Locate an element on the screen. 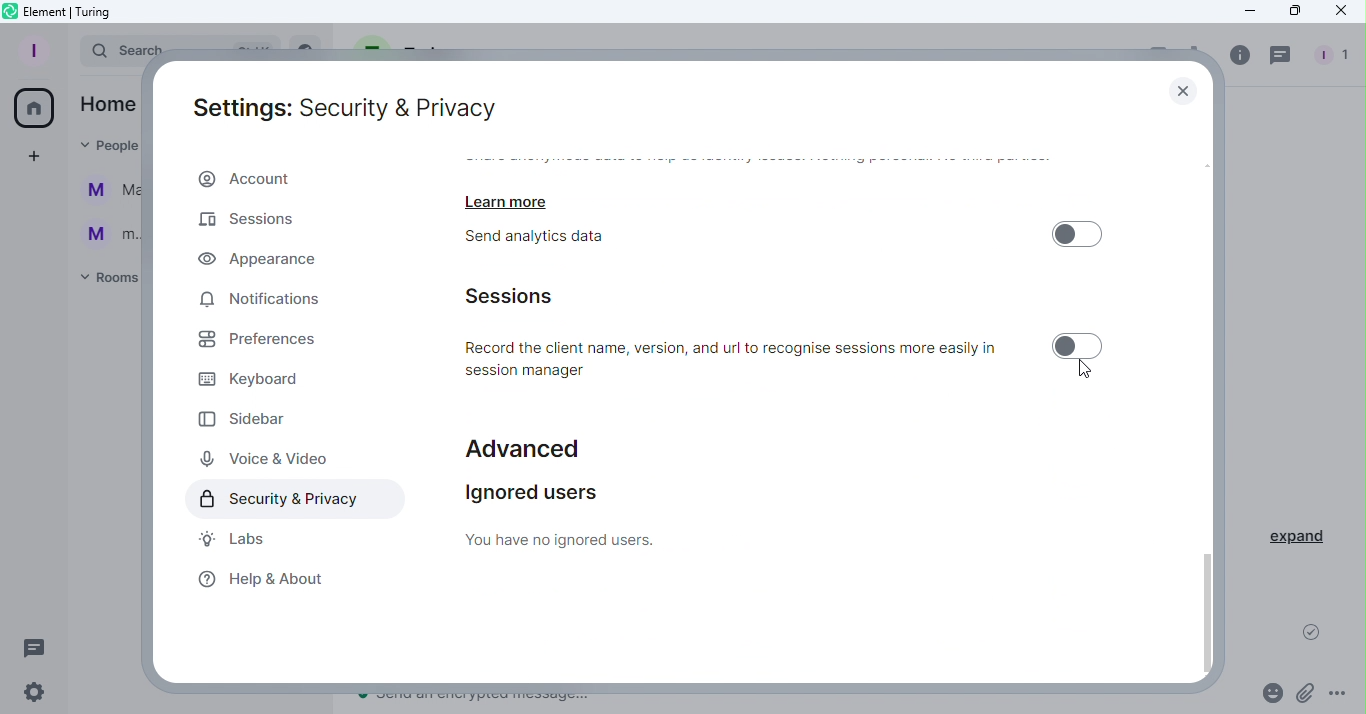 This screenshot has width=1366, height=714. More options is located at coordinates (1340, 696).